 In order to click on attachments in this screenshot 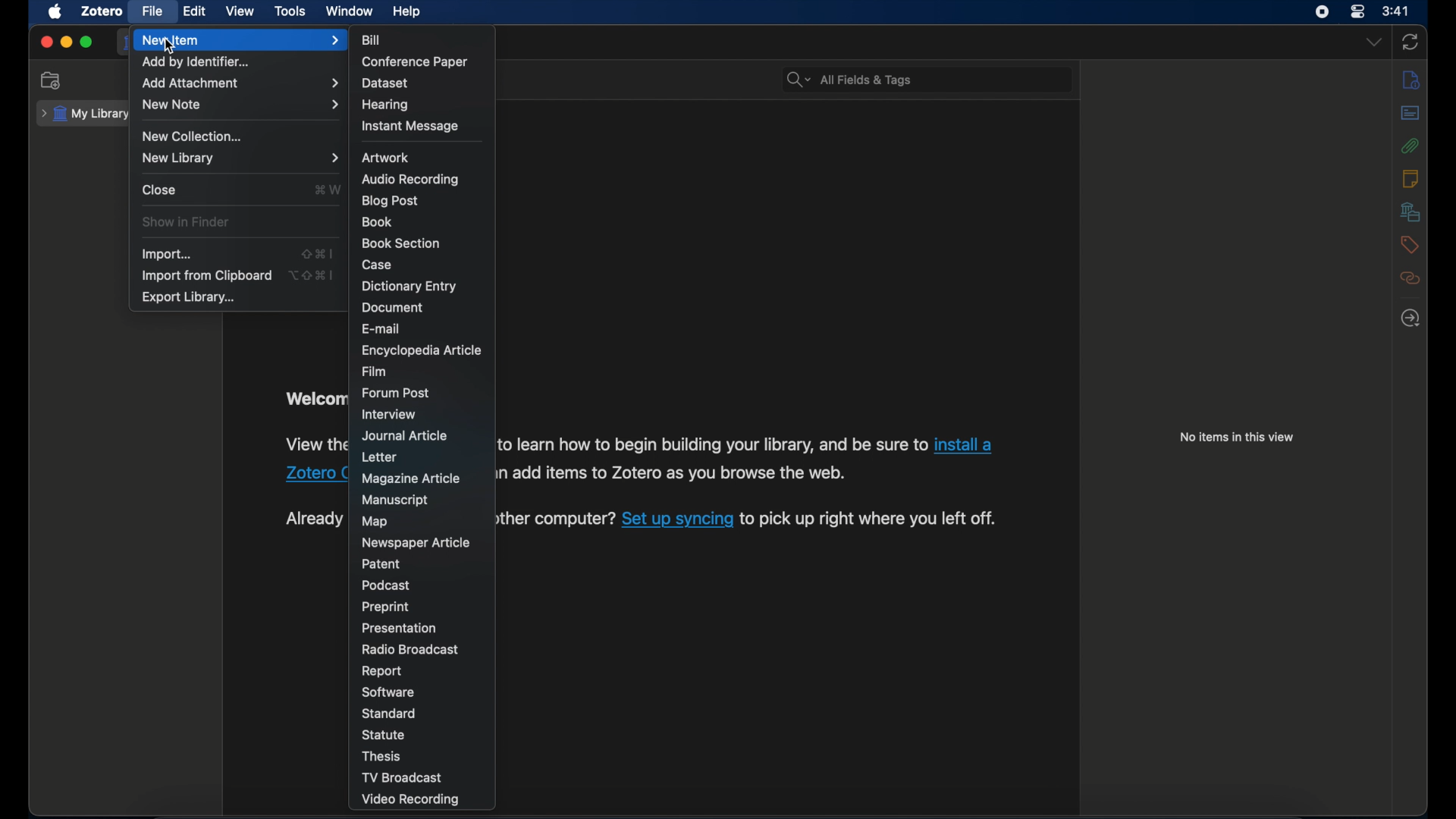, I will do `click(1411, 146)`.